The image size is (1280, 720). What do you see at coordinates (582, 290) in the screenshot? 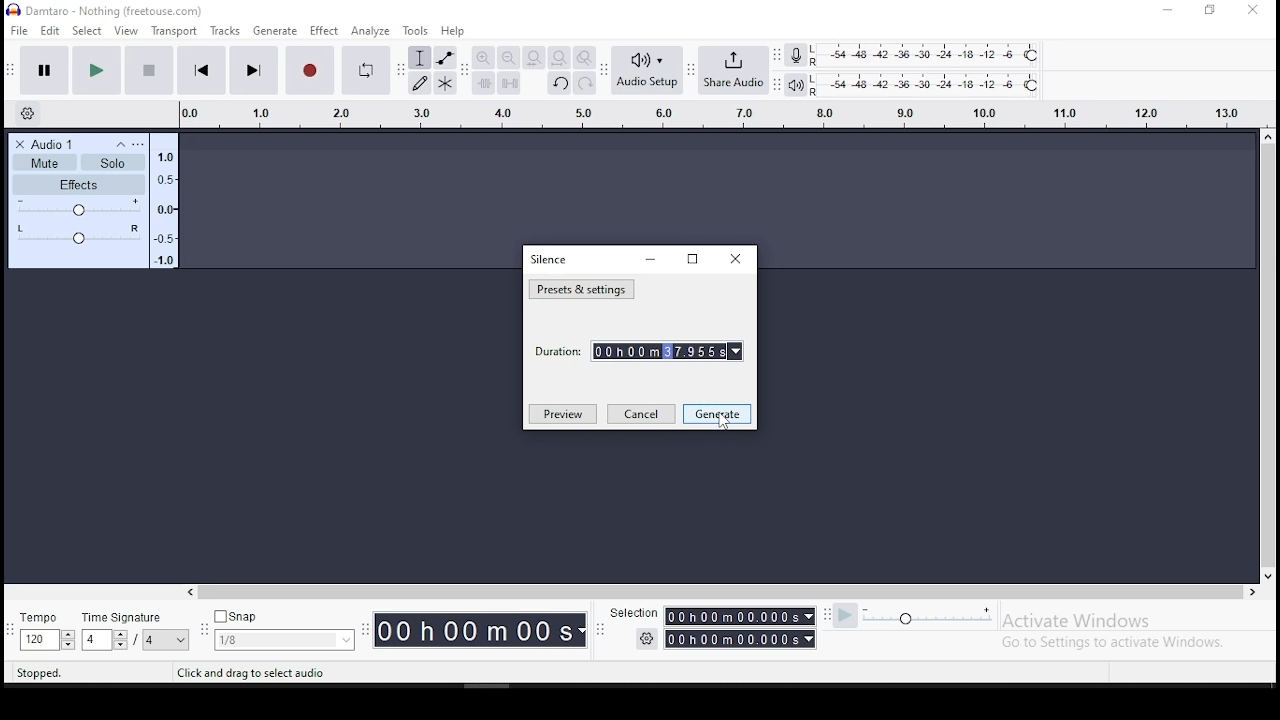
I see `presets and settings` at bounding box center [582, 290].